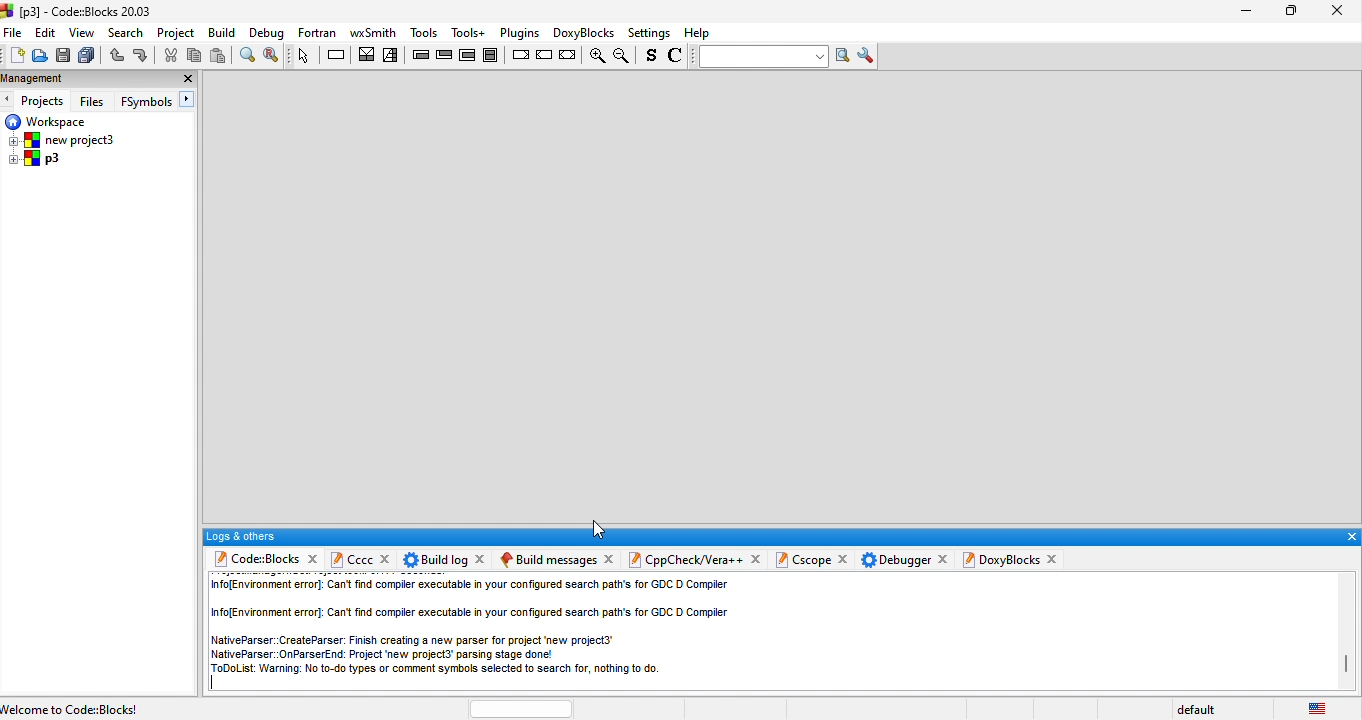  Describe the element at coordinates (9, 100) in the screenshot. I see `previous` at that location.